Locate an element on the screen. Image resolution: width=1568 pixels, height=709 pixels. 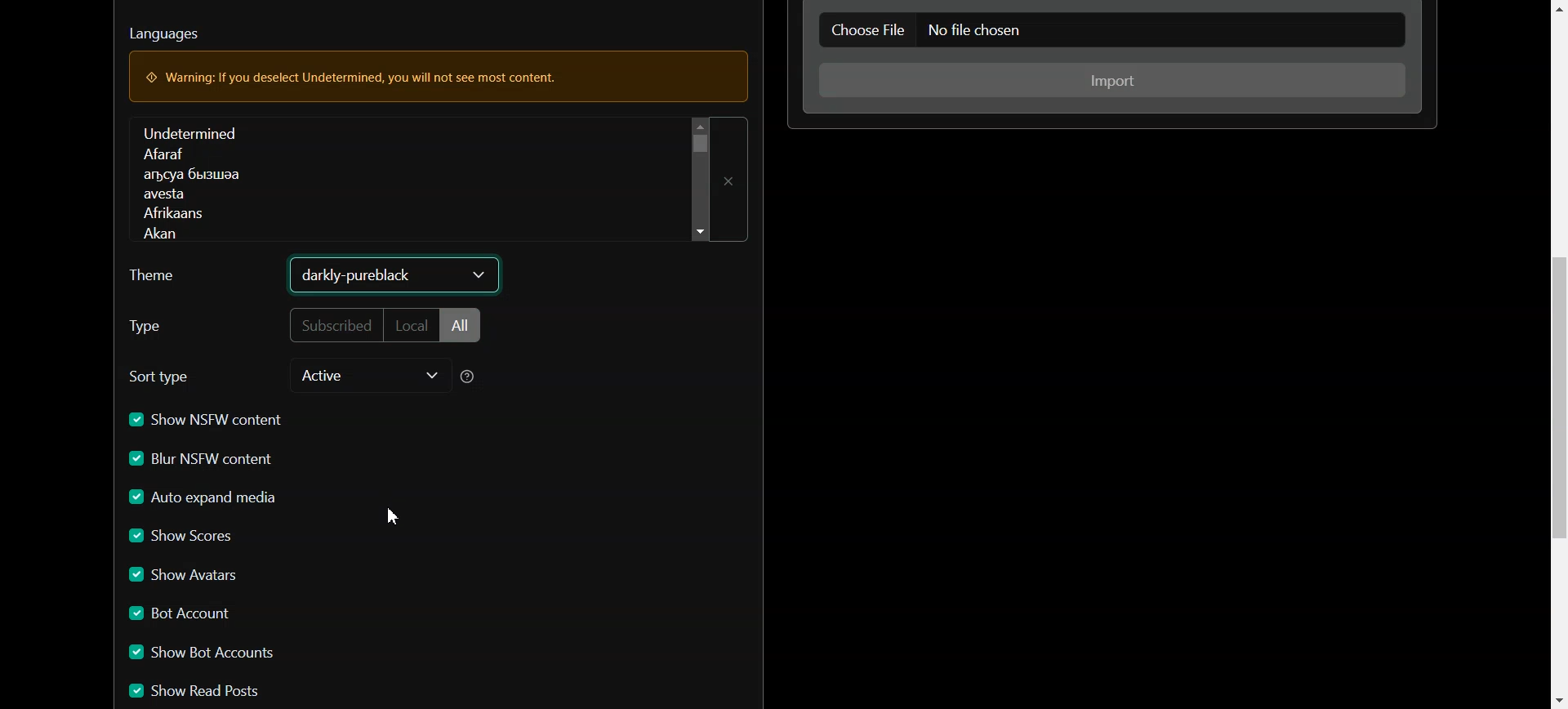
All is located at coordinates (461, 327).